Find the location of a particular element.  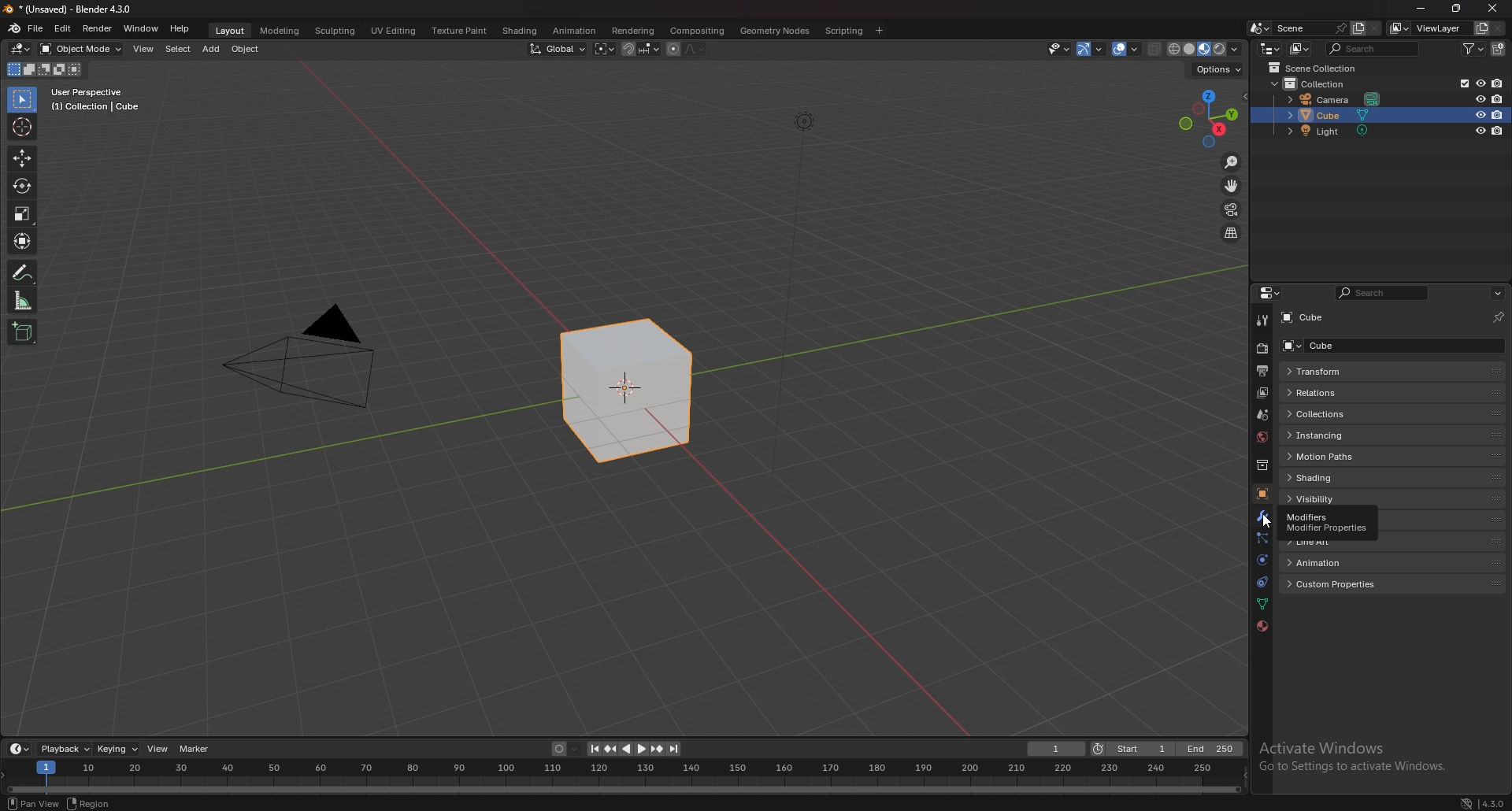

keying is located at coordinates (117, 749).